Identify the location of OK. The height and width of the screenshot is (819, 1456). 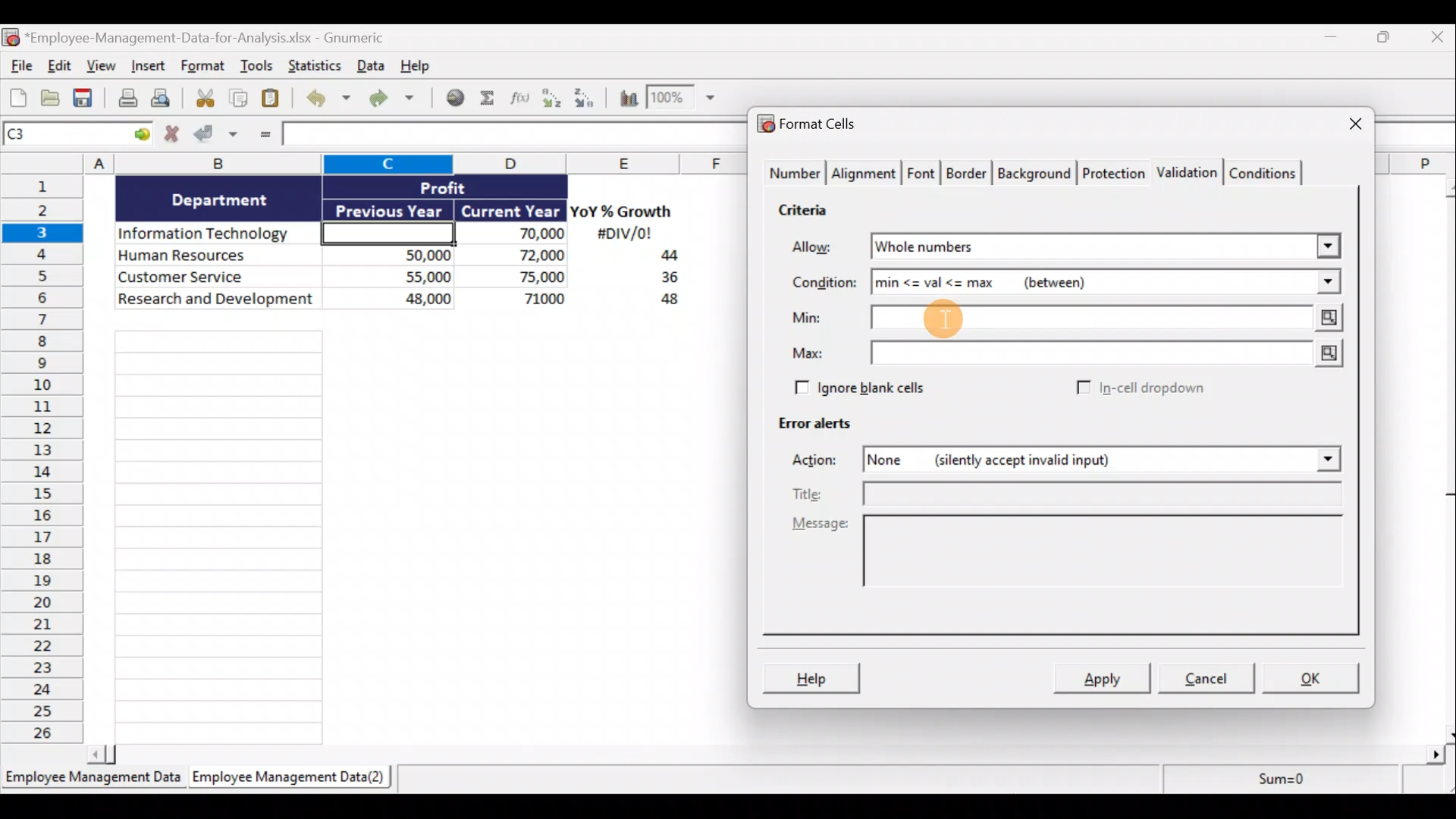
(1312, 676).